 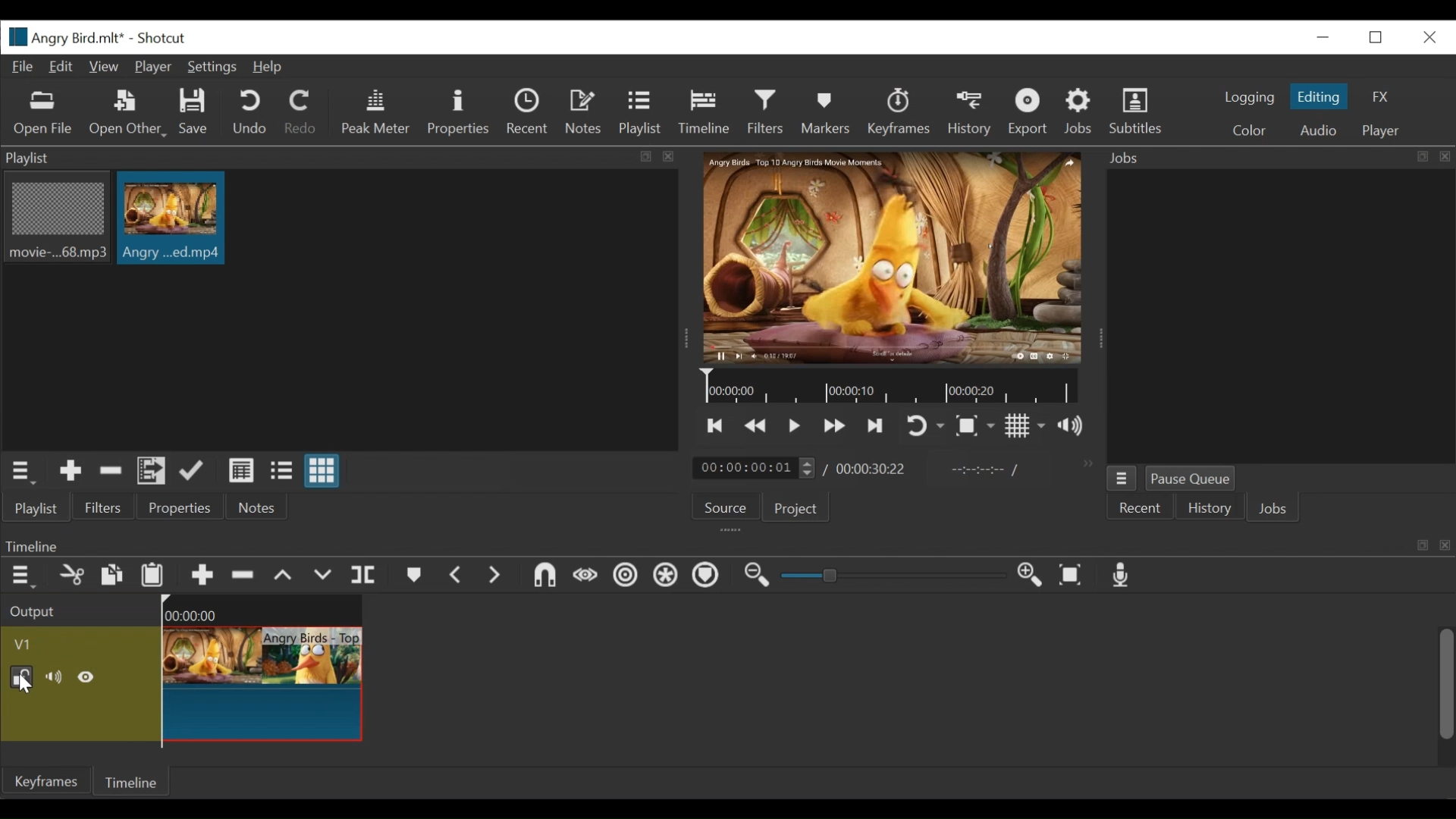 I want to click on Play quickly backward, so click(x=758, y=427).